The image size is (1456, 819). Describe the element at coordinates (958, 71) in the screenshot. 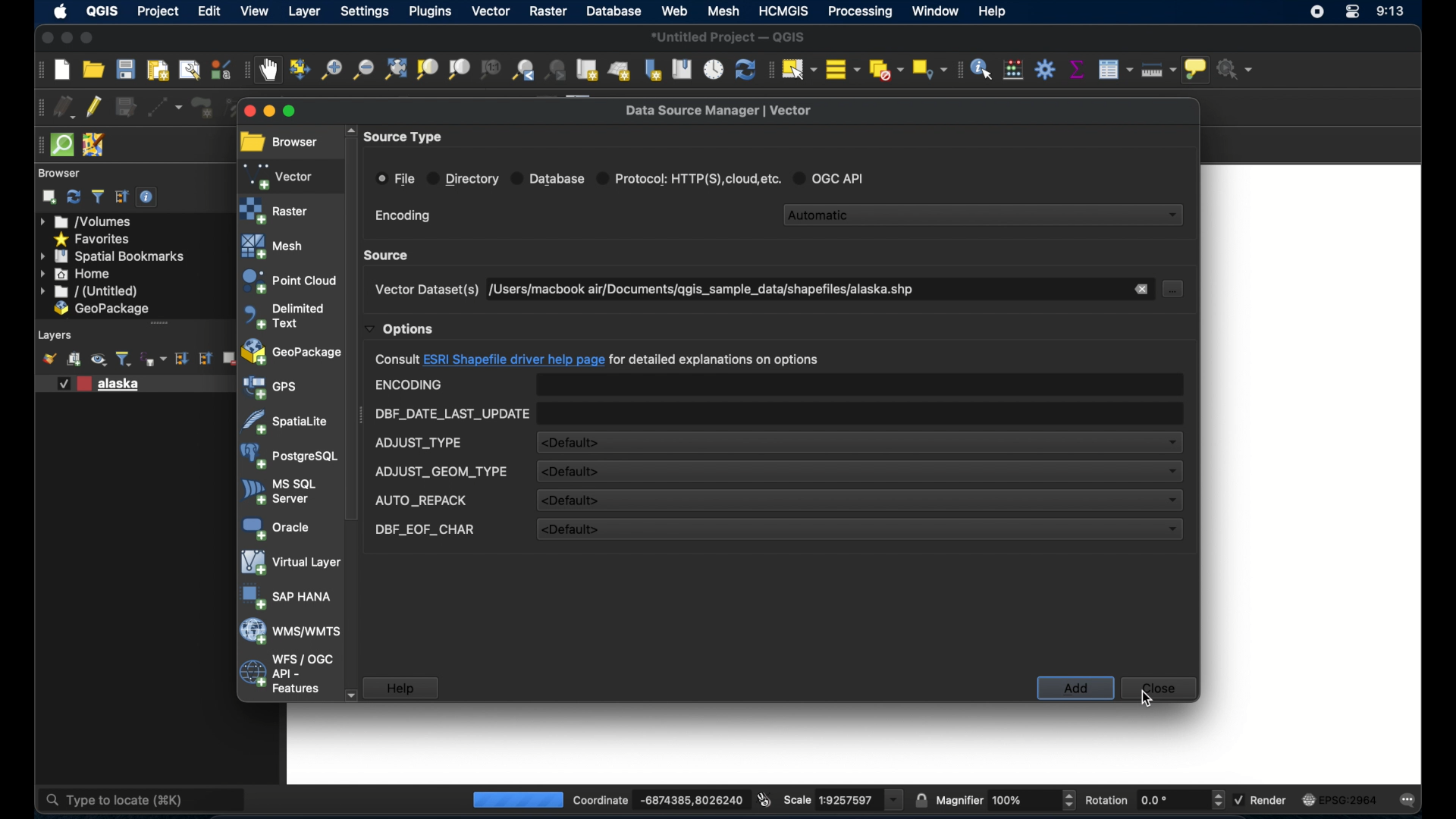

I see `attribute toolbar` at that location.